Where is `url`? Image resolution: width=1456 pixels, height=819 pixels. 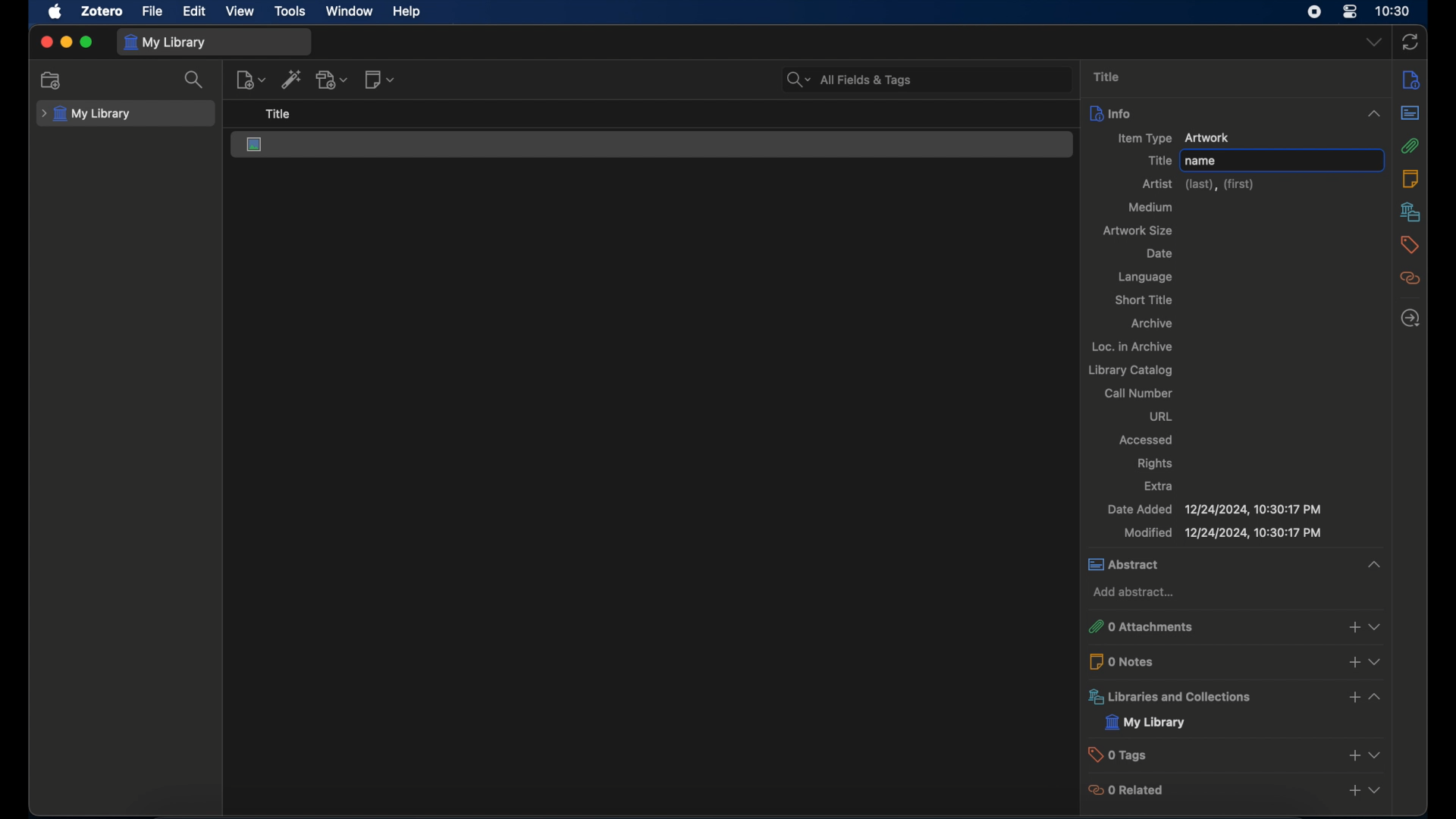 url is located at coordinates (1161, 417).